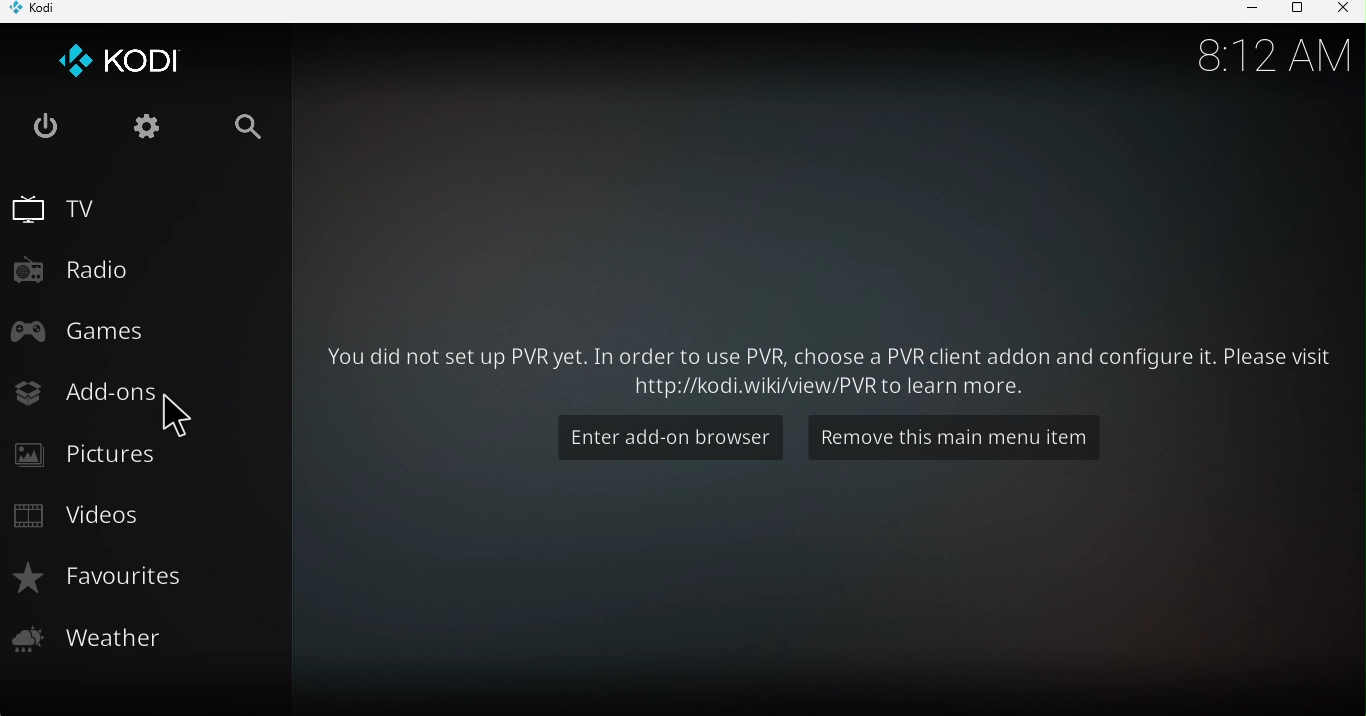 The image size is (1366, 716). Describe the element at coordinates (1342, 11) in the screenshot. I see `Close` at that location.